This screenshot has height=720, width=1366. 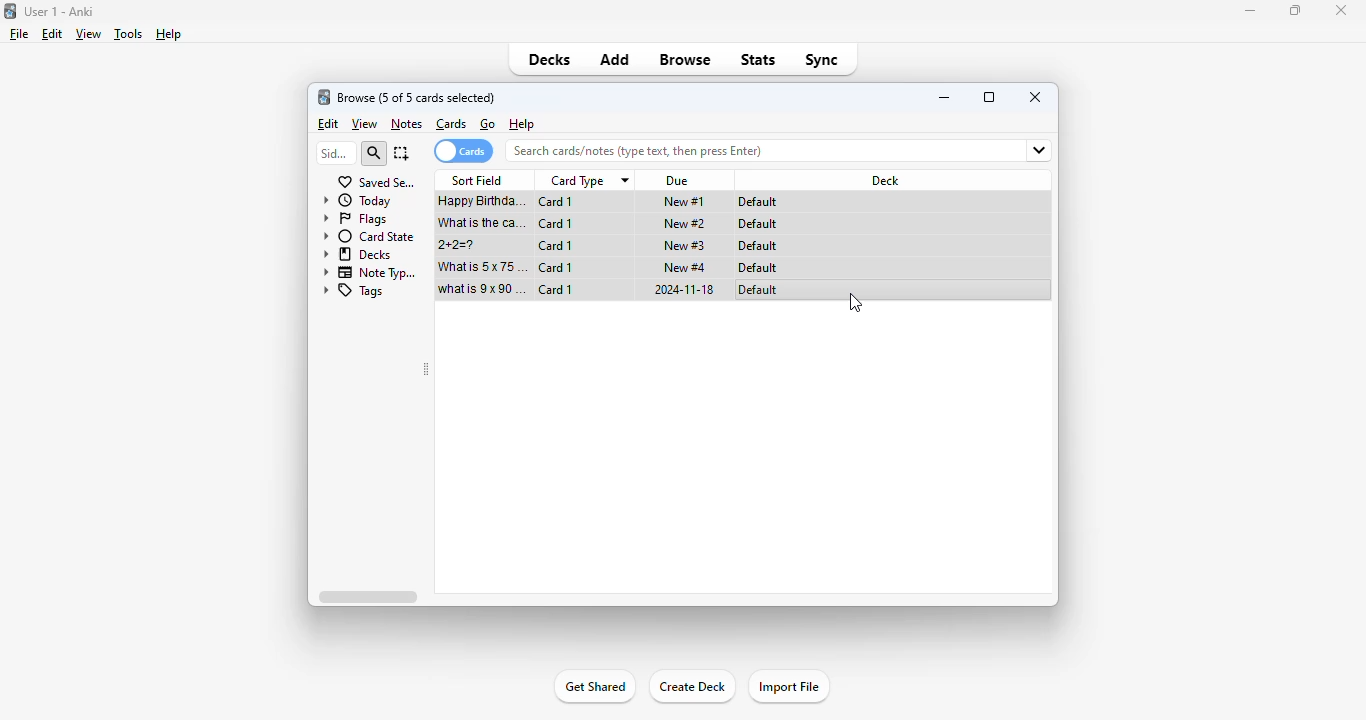 What do you see at coordinates (488, 124) in the screenshot?
I see `go` at bounding box center [488, 124].